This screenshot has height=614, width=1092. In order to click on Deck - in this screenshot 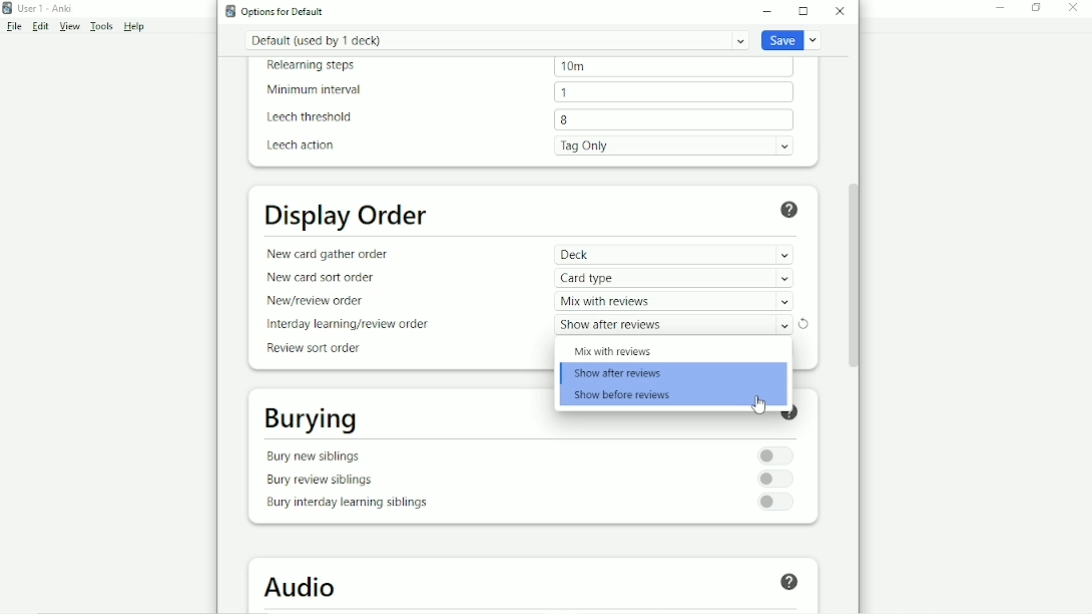, I will do `click(674, 255)`.